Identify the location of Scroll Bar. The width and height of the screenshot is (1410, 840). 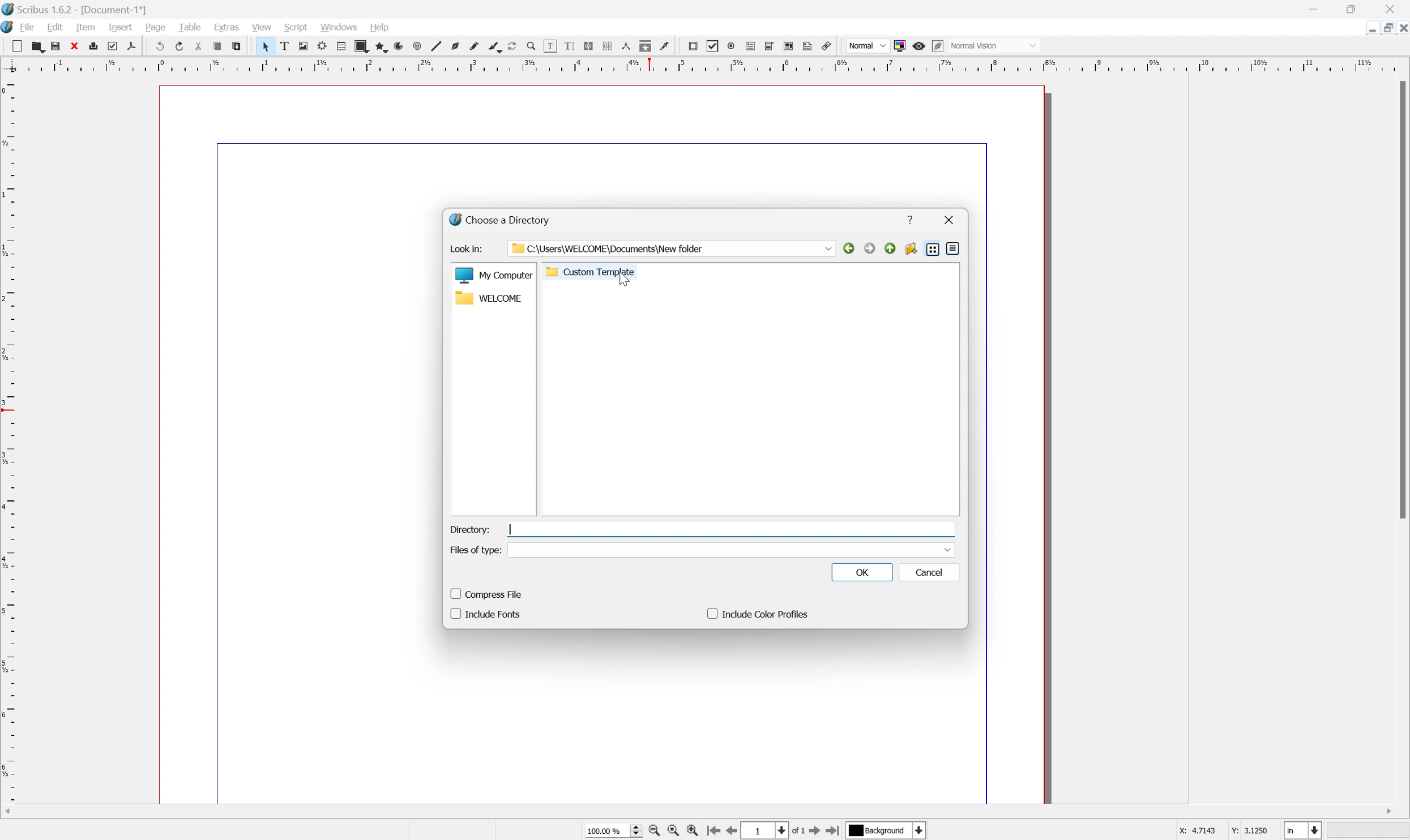
(1401, 299).